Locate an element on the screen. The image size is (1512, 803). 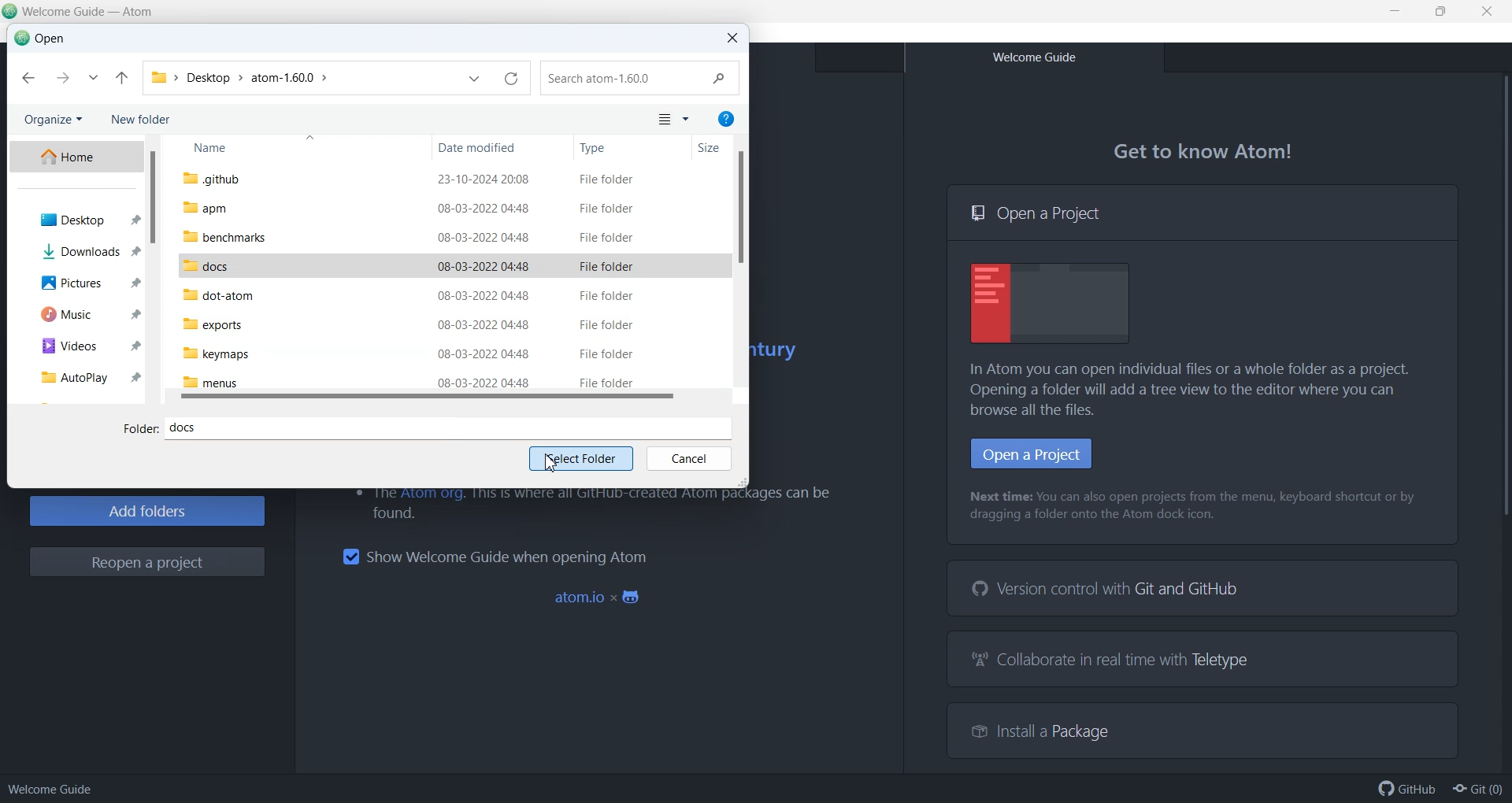
Up to atom-1.60.0 file is located at coordinates (122, 79).